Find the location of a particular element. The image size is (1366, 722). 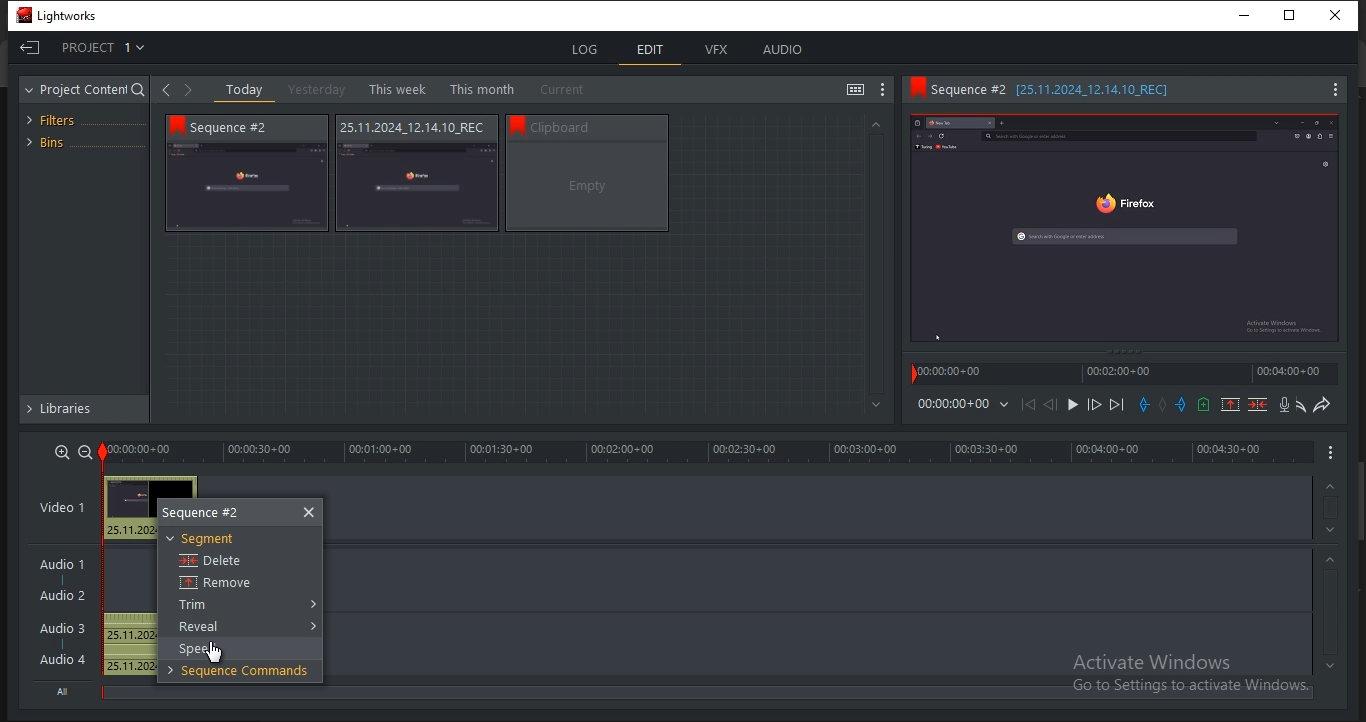

move backward is located at coordinates (1031, 406).